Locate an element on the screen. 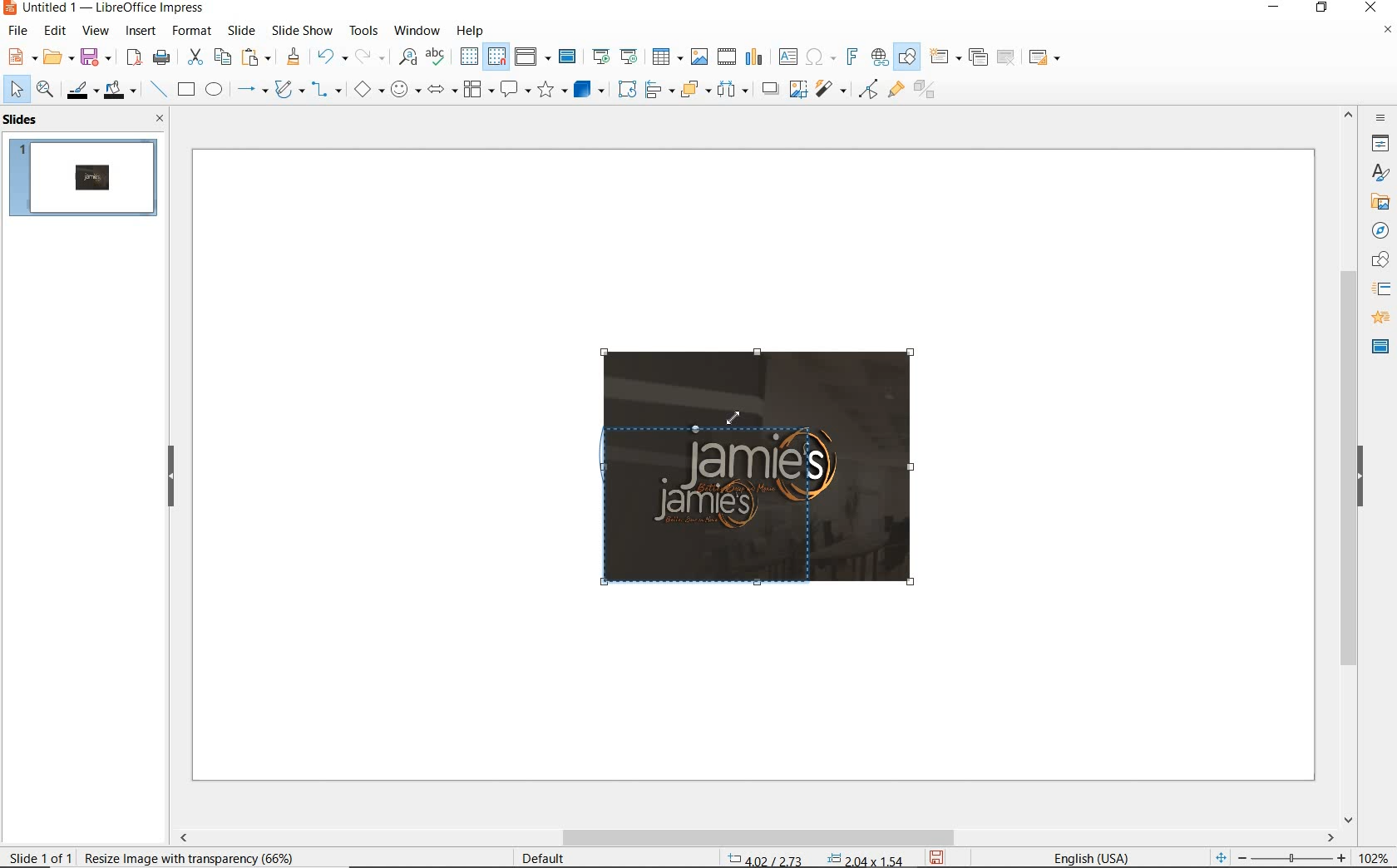  zoom & pan is located at coordinates (47, 91).